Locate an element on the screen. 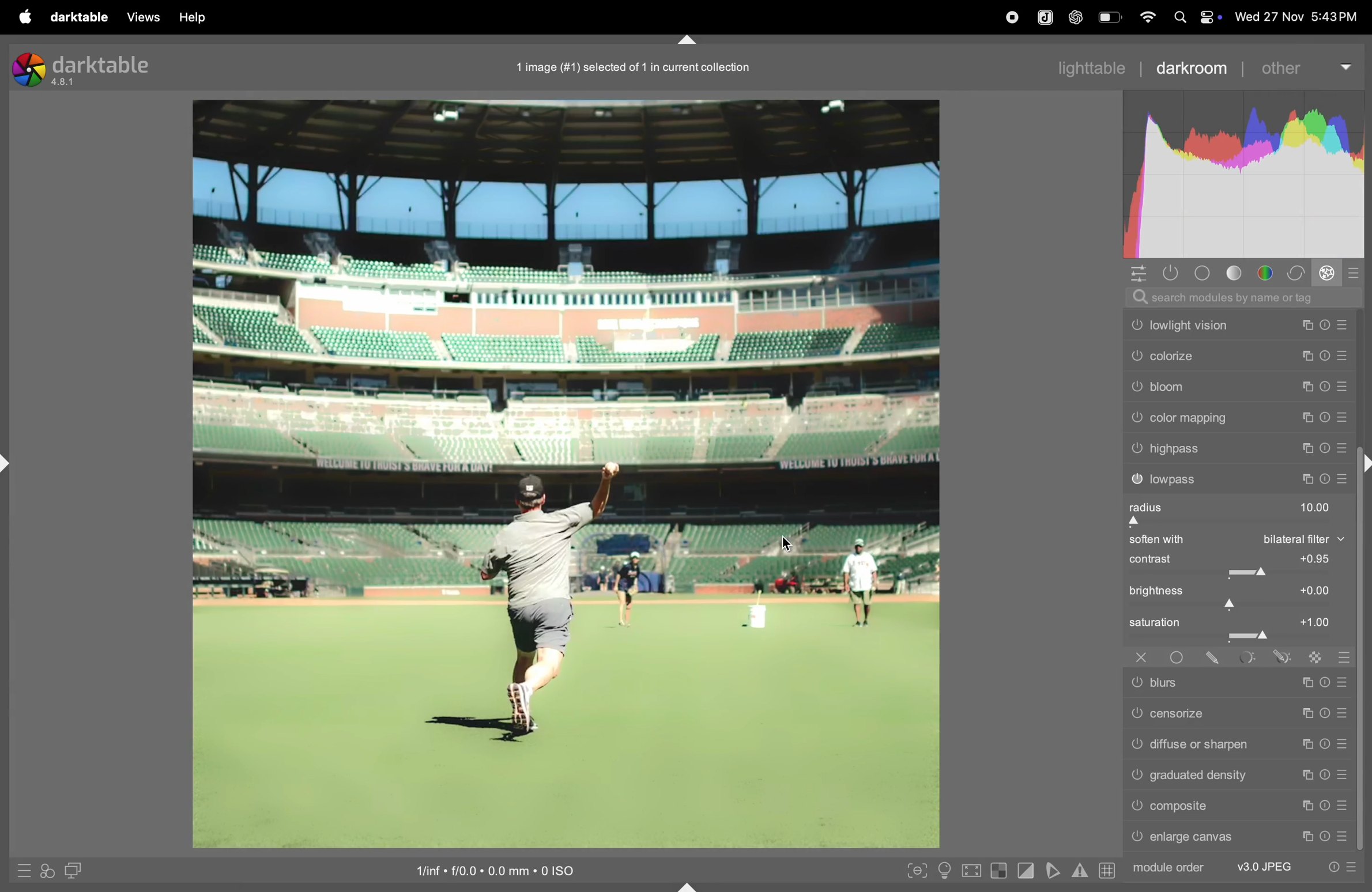 Image resolution: width=1372 pixels, height=892 pixels. indicators is located at coordinates (1078, 869).